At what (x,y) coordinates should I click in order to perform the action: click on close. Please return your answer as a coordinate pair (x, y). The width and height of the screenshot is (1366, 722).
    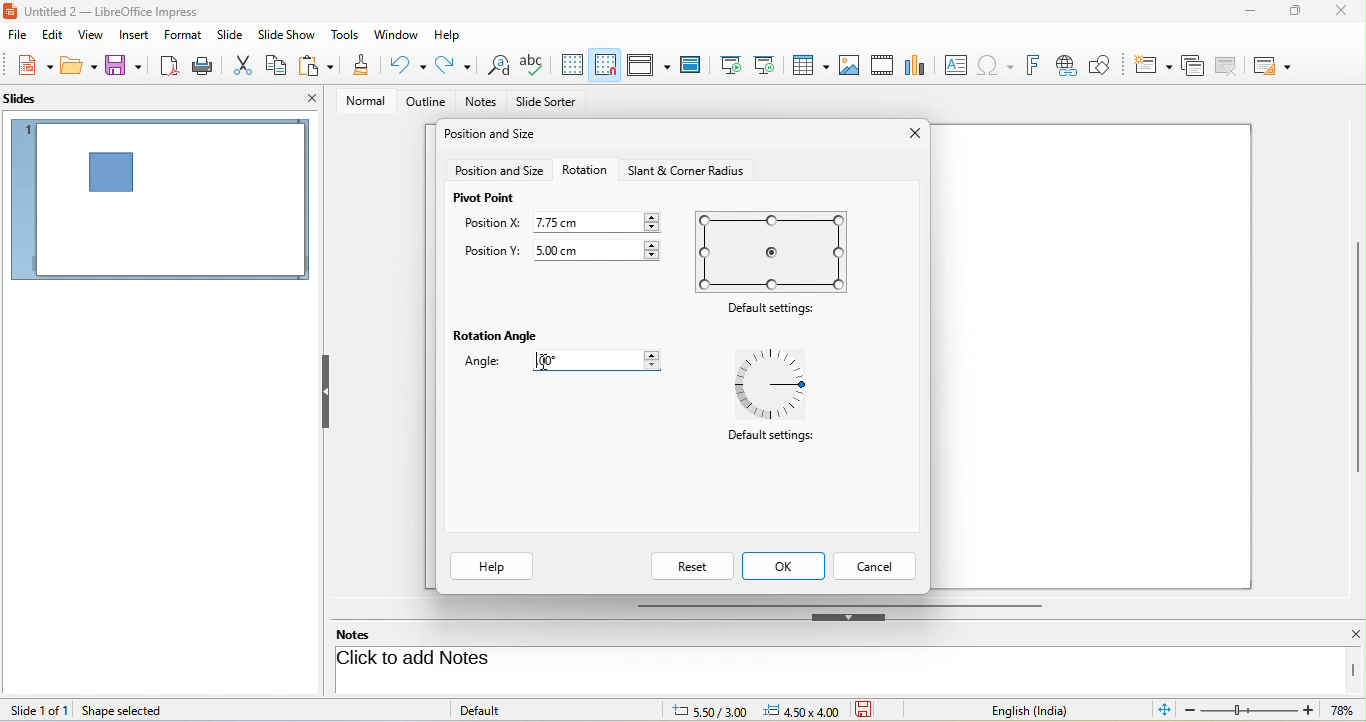
    Looking at the image, I should click on (911, 135).